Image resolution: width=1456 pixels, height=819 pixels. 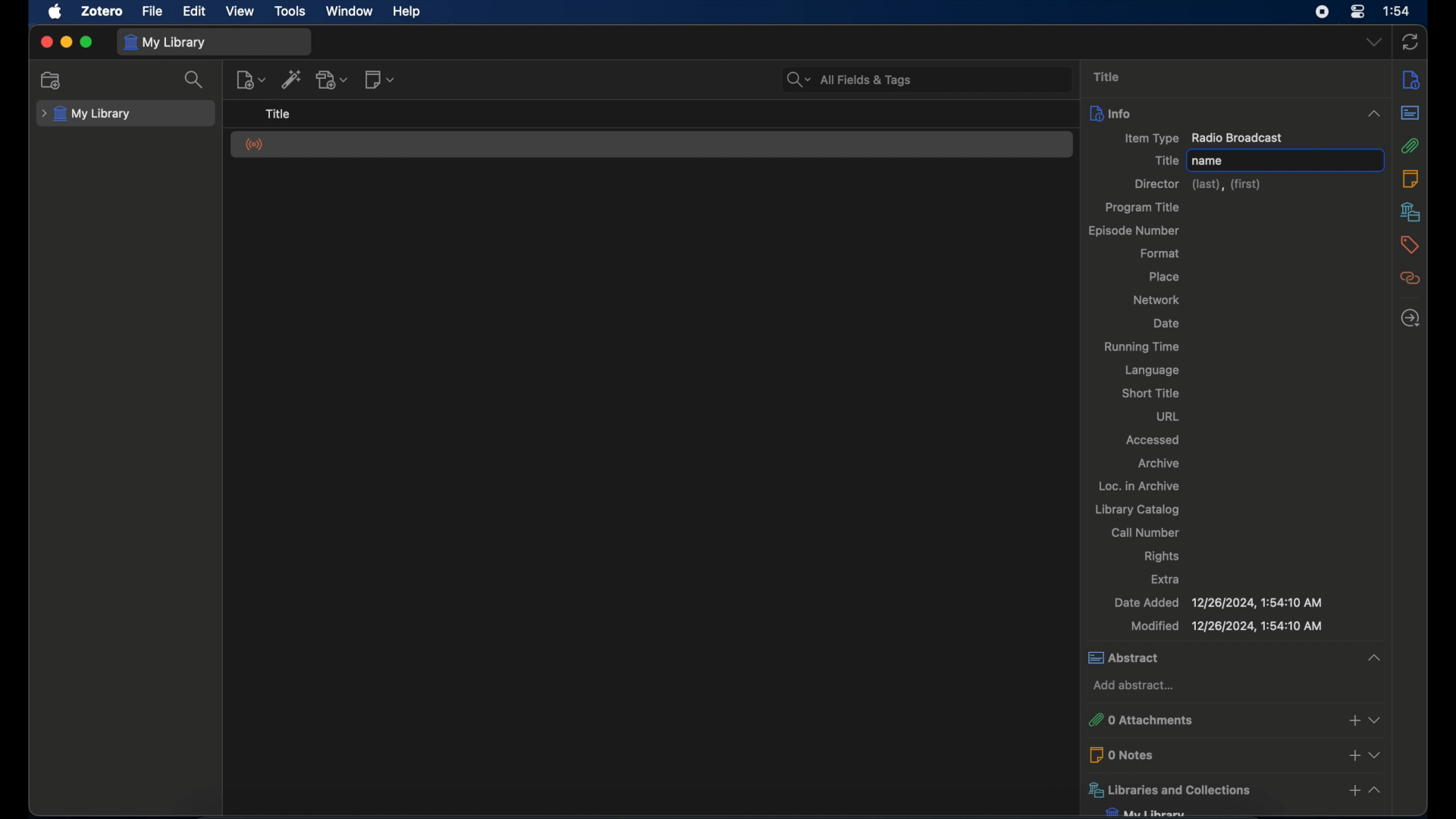 What do you see at coordinates (381, 79) in the screenshot?
I see `new note` at bounding box center [381, 79].